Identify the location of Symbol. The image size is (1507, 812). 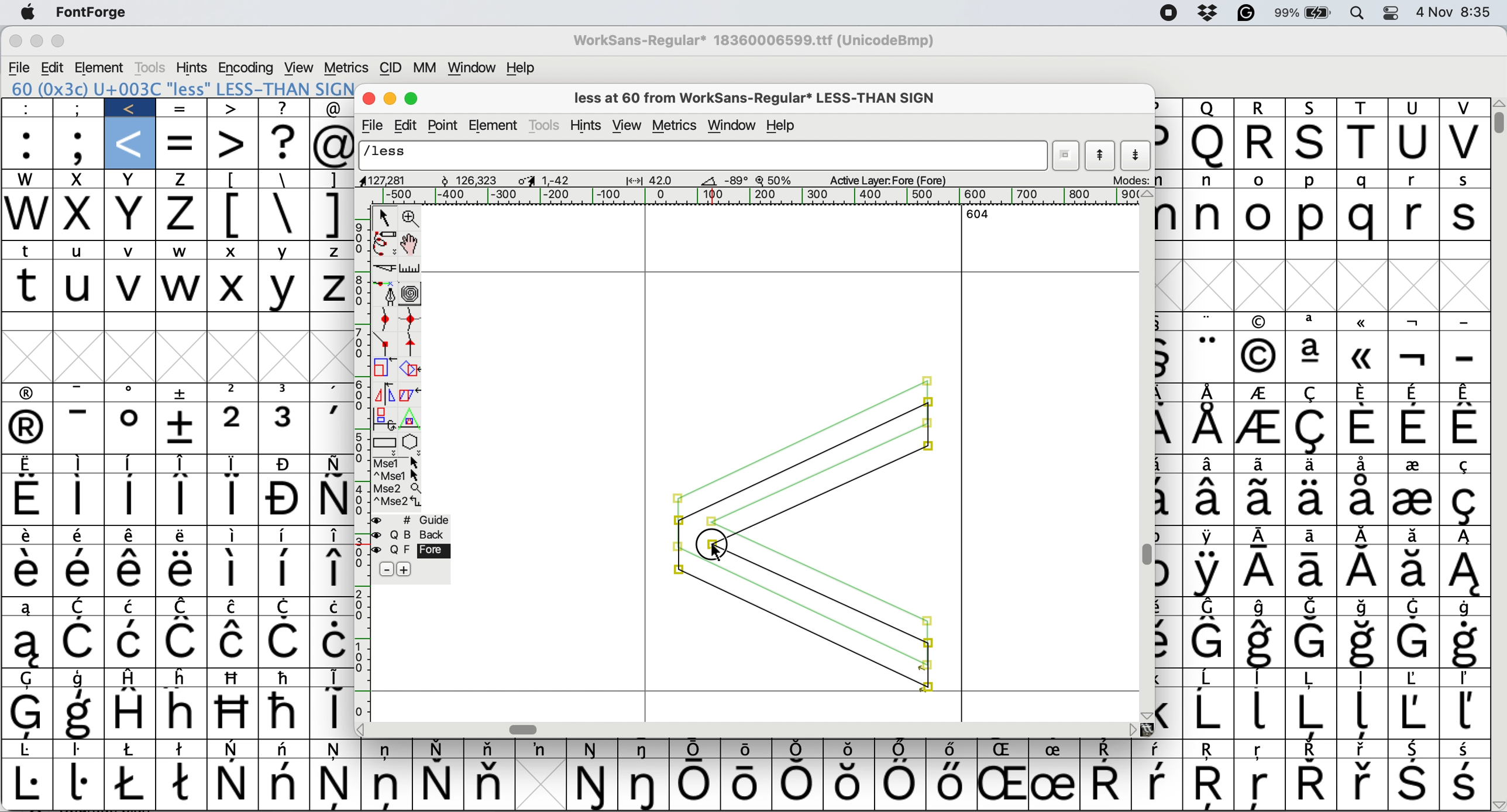
(1207, 643).